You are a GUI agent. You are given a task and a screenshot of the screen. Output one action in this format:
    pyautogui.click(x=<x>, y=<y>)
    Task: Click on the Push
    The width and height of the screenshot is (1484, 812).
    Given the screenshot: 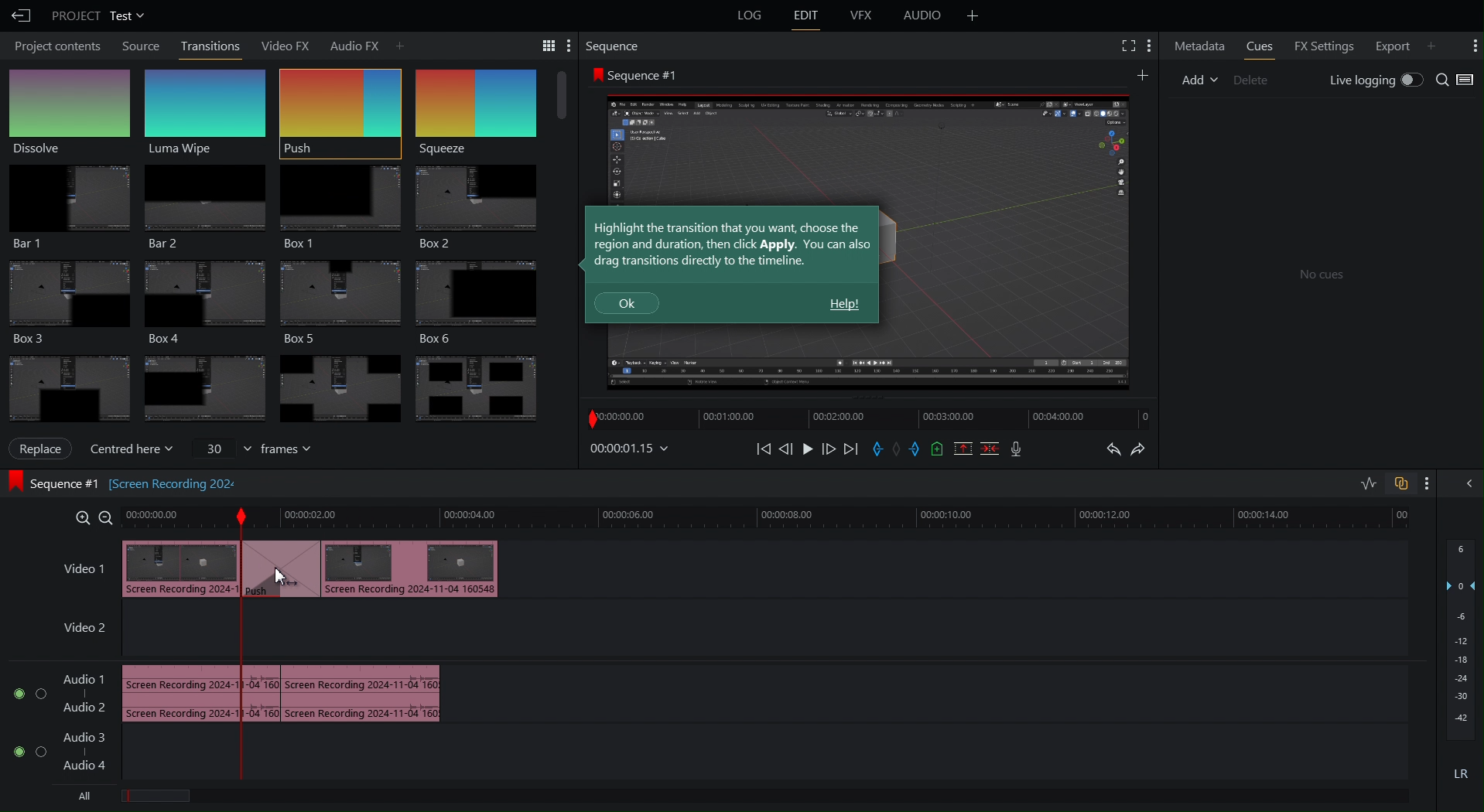 What is the action you would take?
    pyautogui.click(x=339, y=112)
    